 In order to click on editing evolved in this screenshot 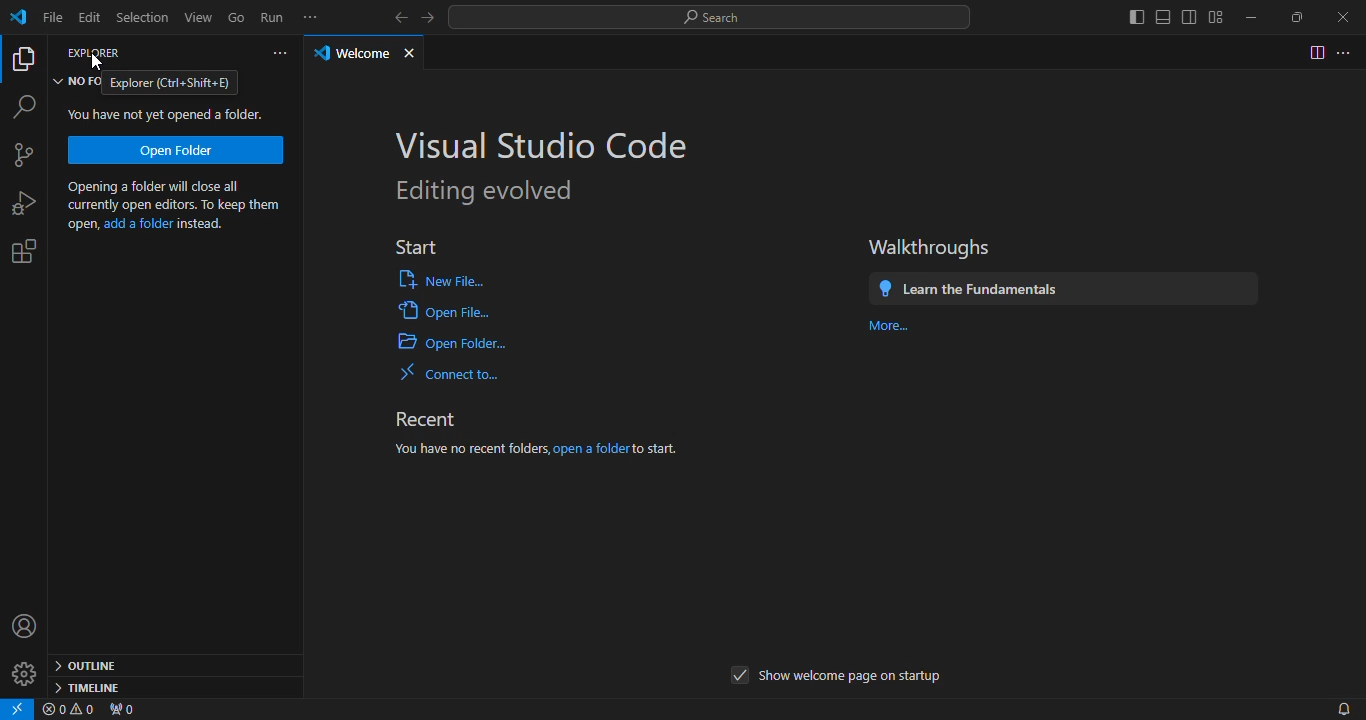, I will do `click(478, 191)`.